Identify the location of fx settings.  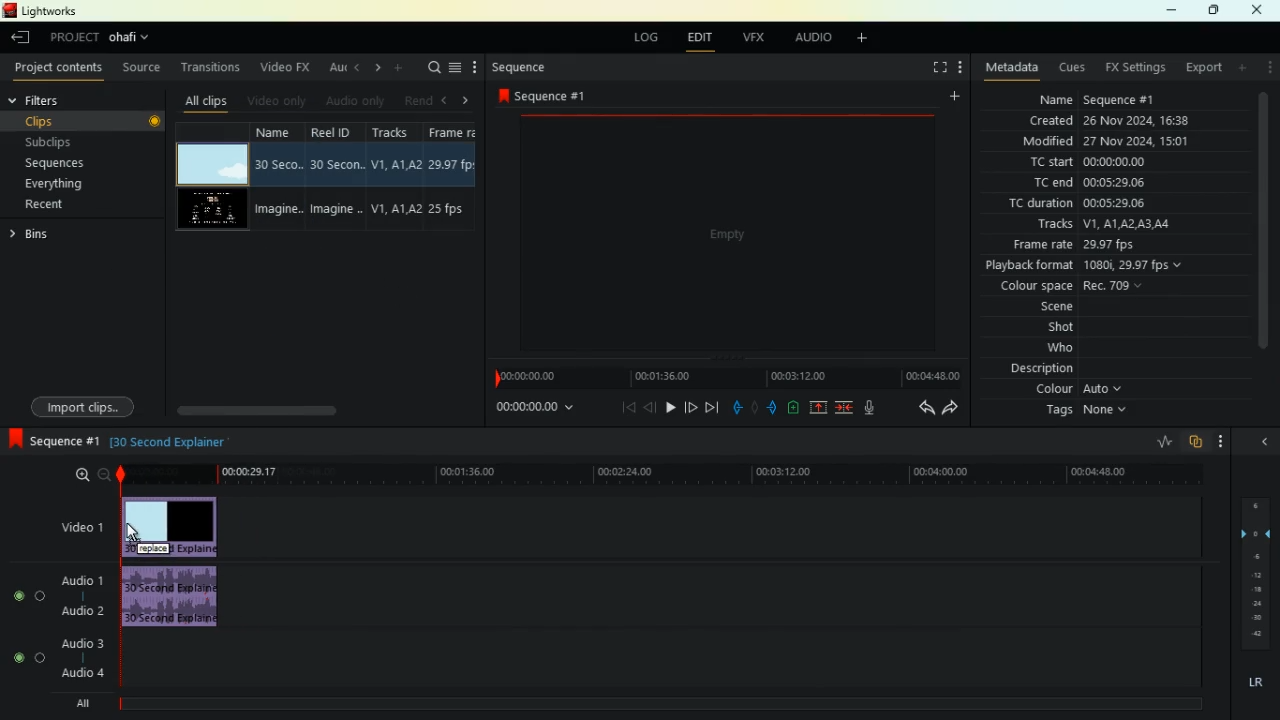
(1131, 68).